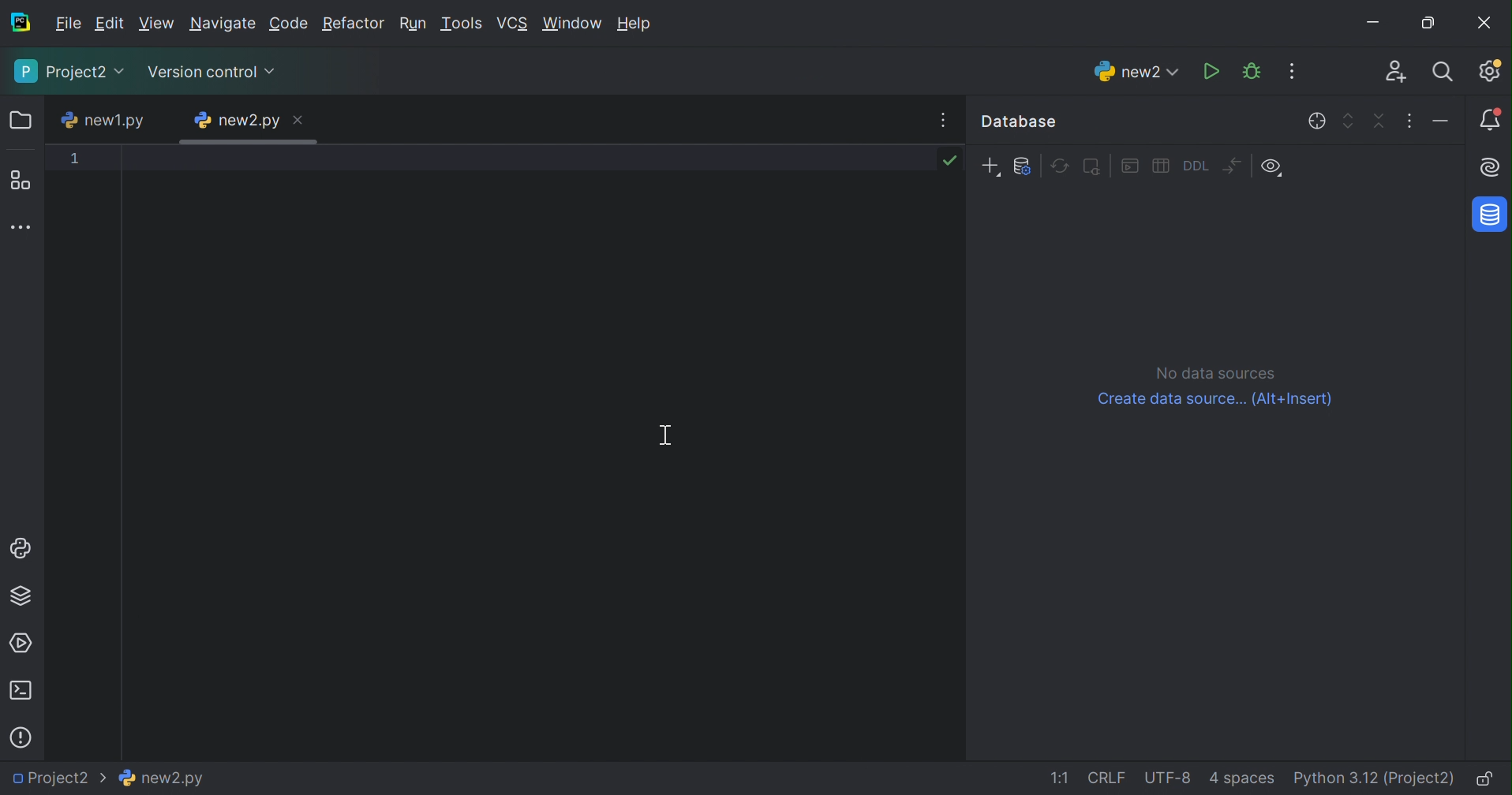 The image size is (1512, 795). What do you see at coordinates (1061, 779) in the screenshot?
I see `1:1` at bounding box center [1061, 779].